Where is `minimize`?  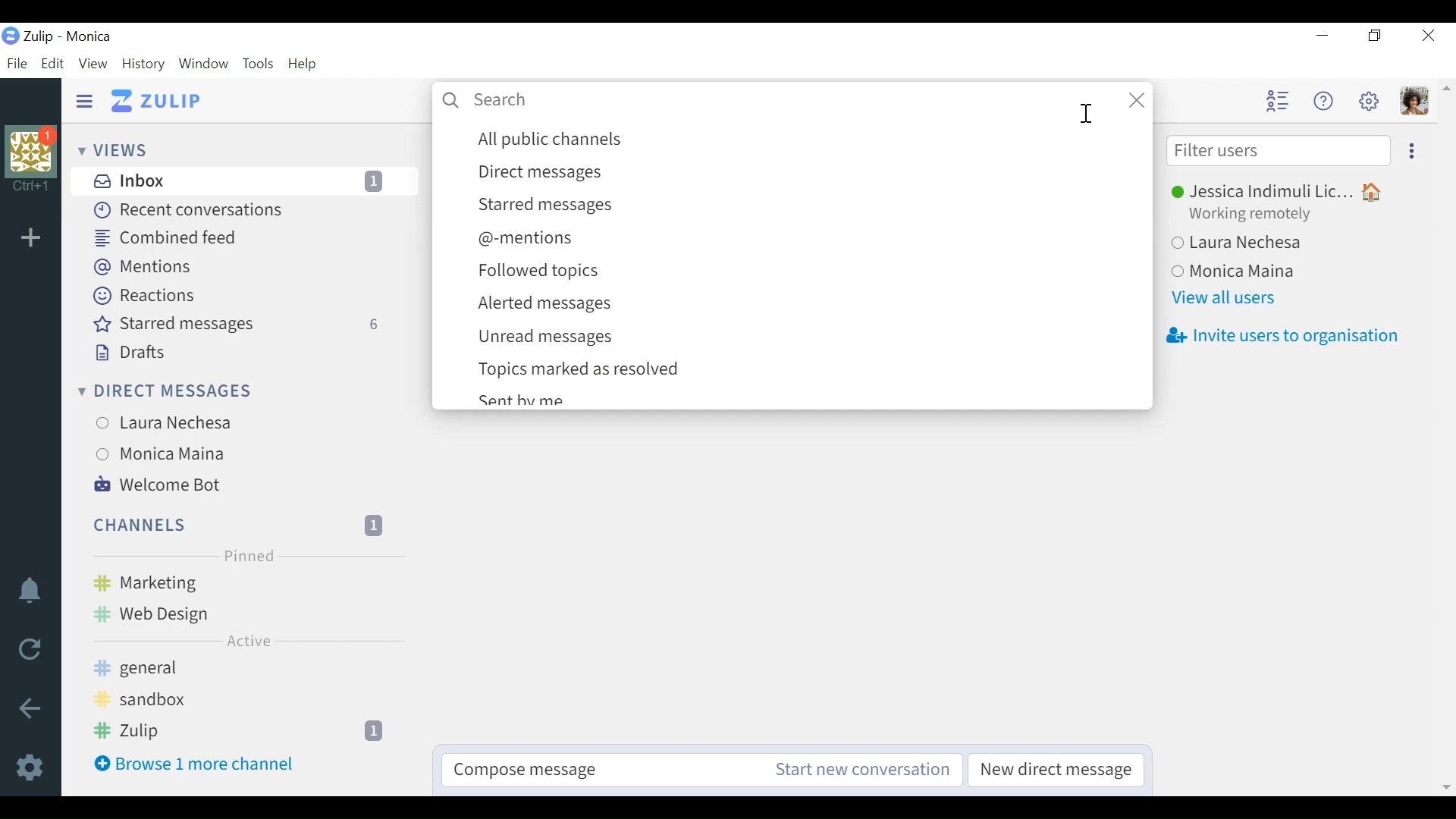
minimize is located at coordinates (1320, 35).